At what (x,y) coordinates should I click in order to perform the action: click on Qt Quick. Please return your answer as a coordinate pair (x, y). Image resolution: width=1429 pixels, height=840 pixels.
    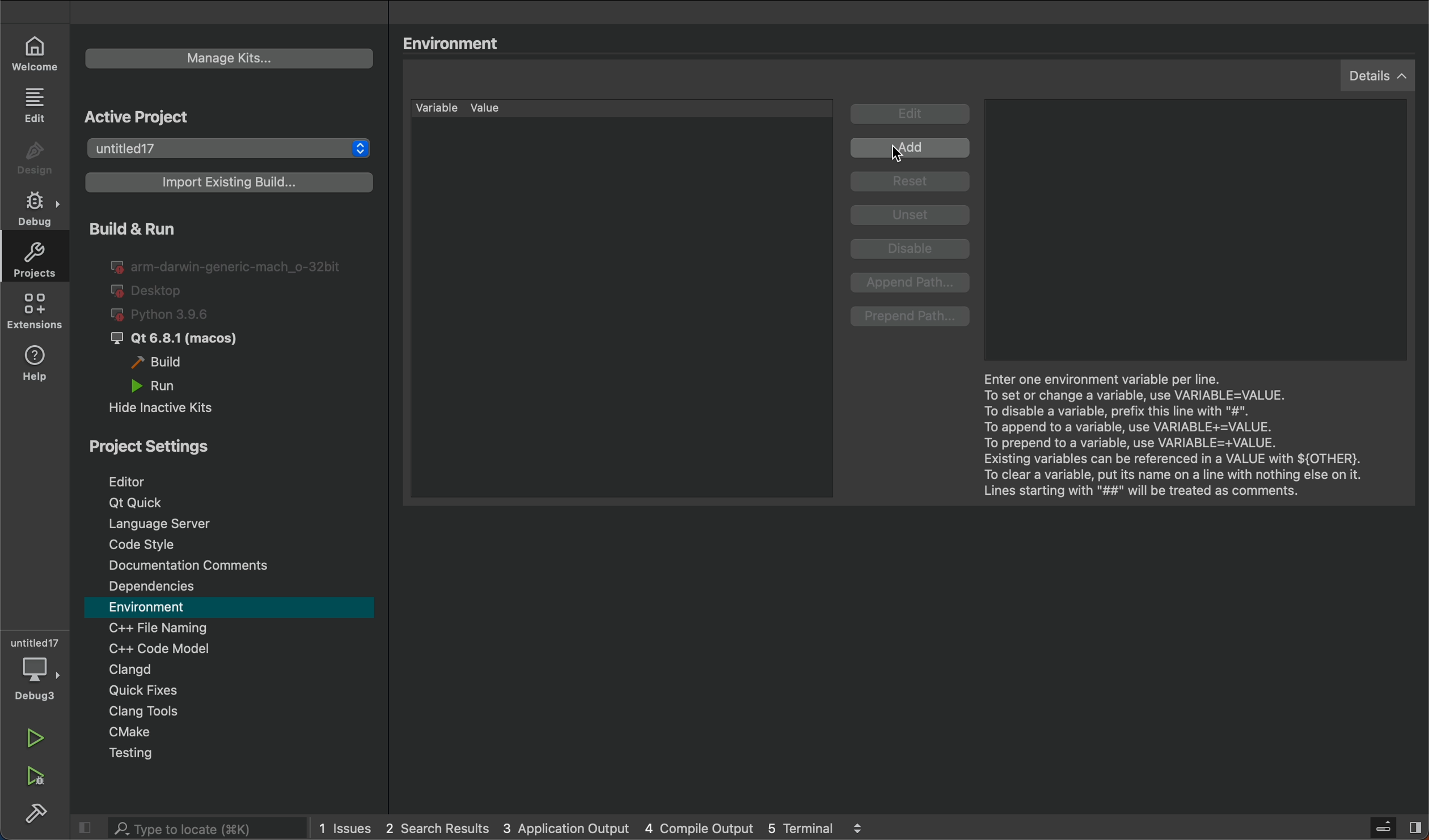
    Looking at the image, I should click on (238, 503).